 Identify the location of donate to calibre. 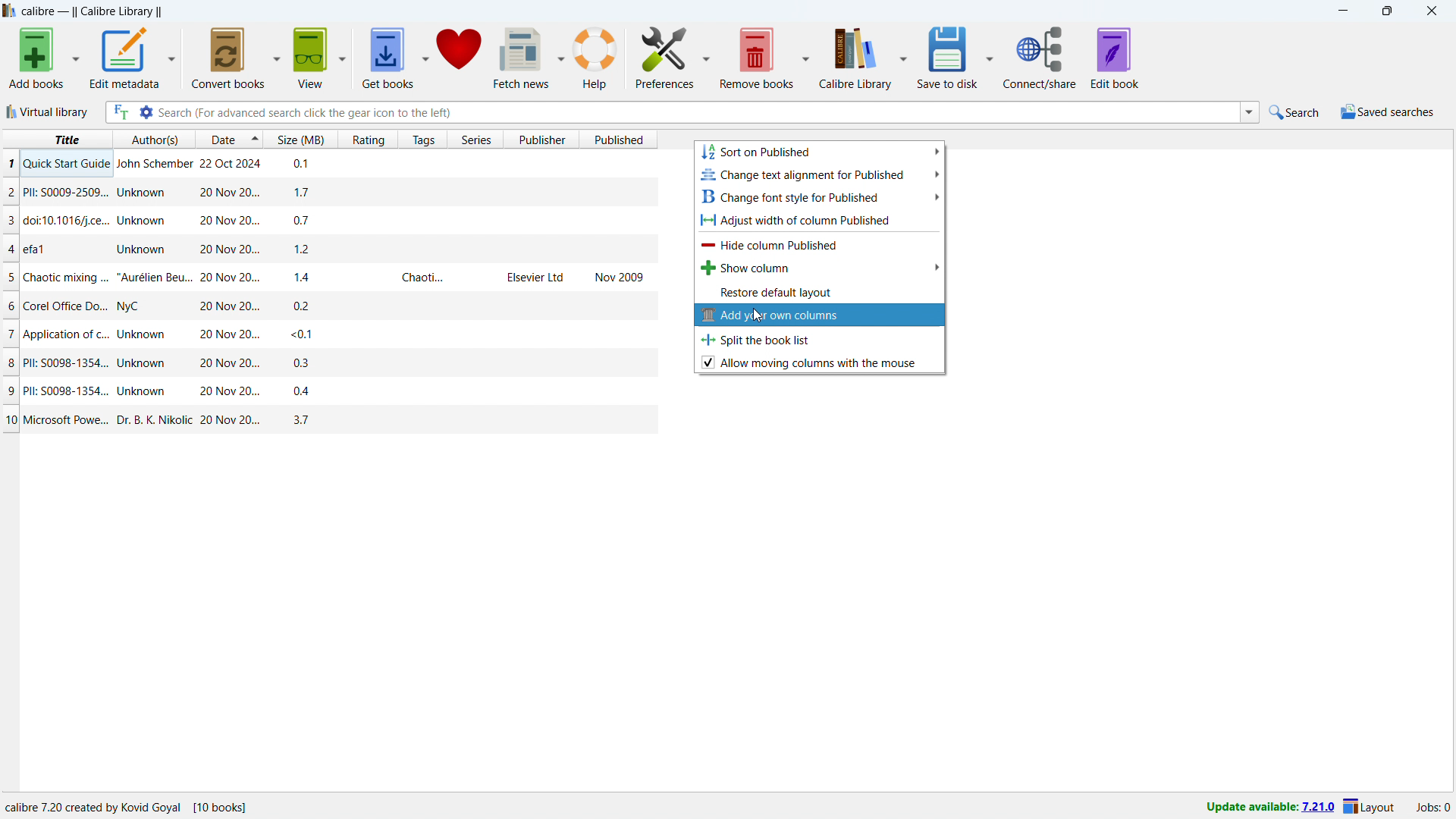
(459, 58).